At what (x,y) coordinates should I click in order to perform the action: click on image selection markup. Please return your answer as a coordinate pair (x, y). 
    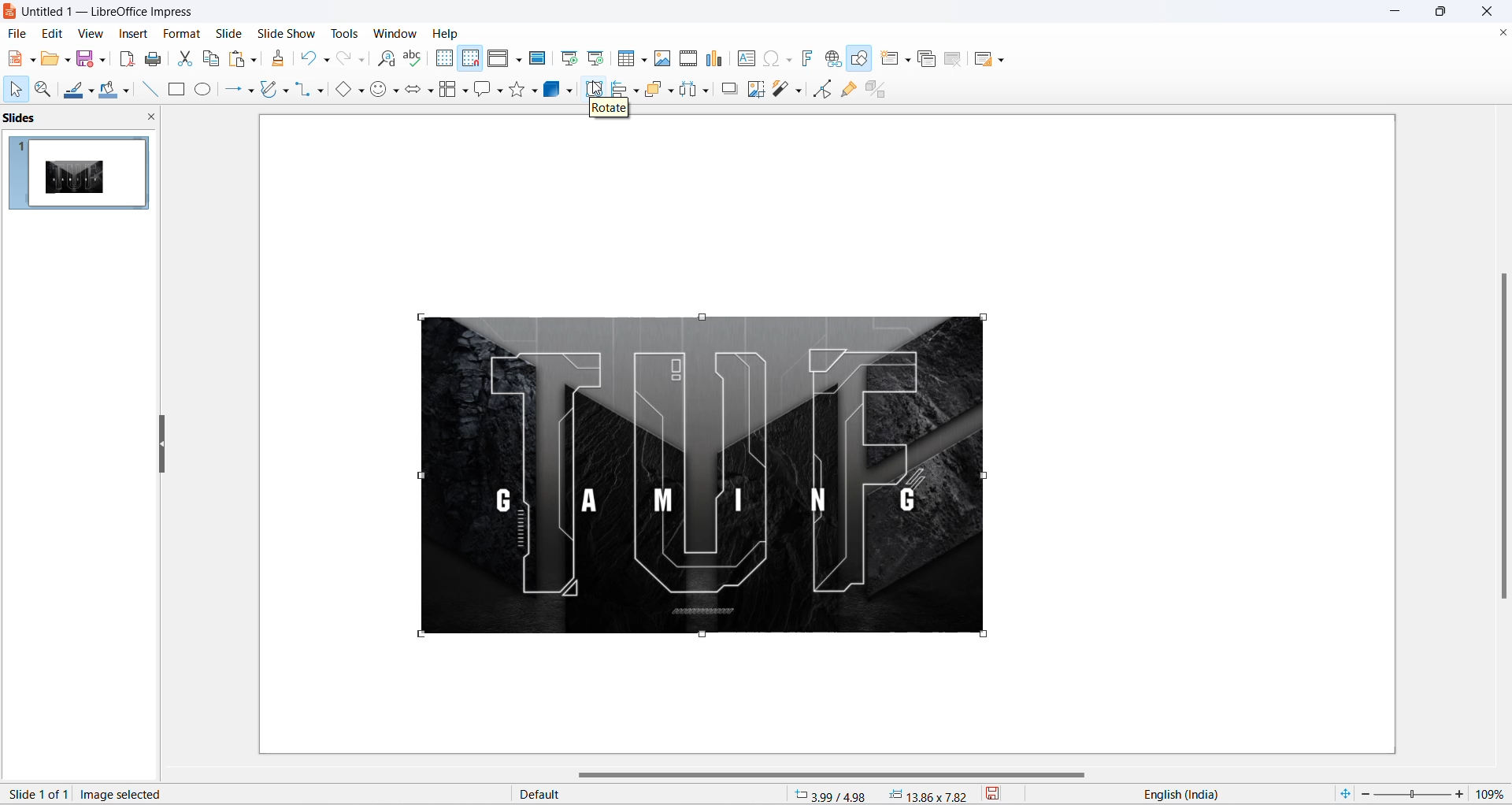
    Looking at the image, I should click on (705, 318).